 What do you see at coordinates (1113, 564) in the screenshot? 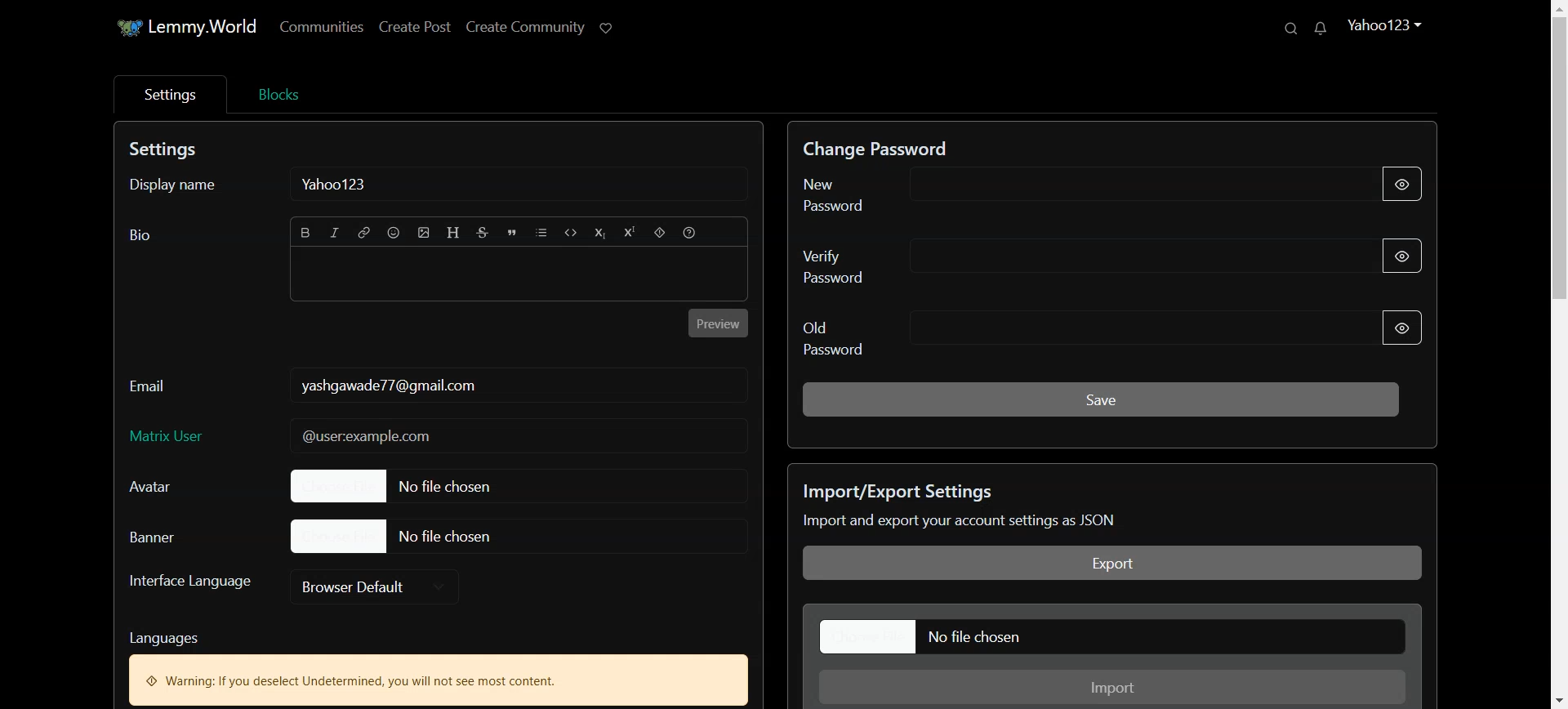
I see `Export` at bounding box center [1113, 564].